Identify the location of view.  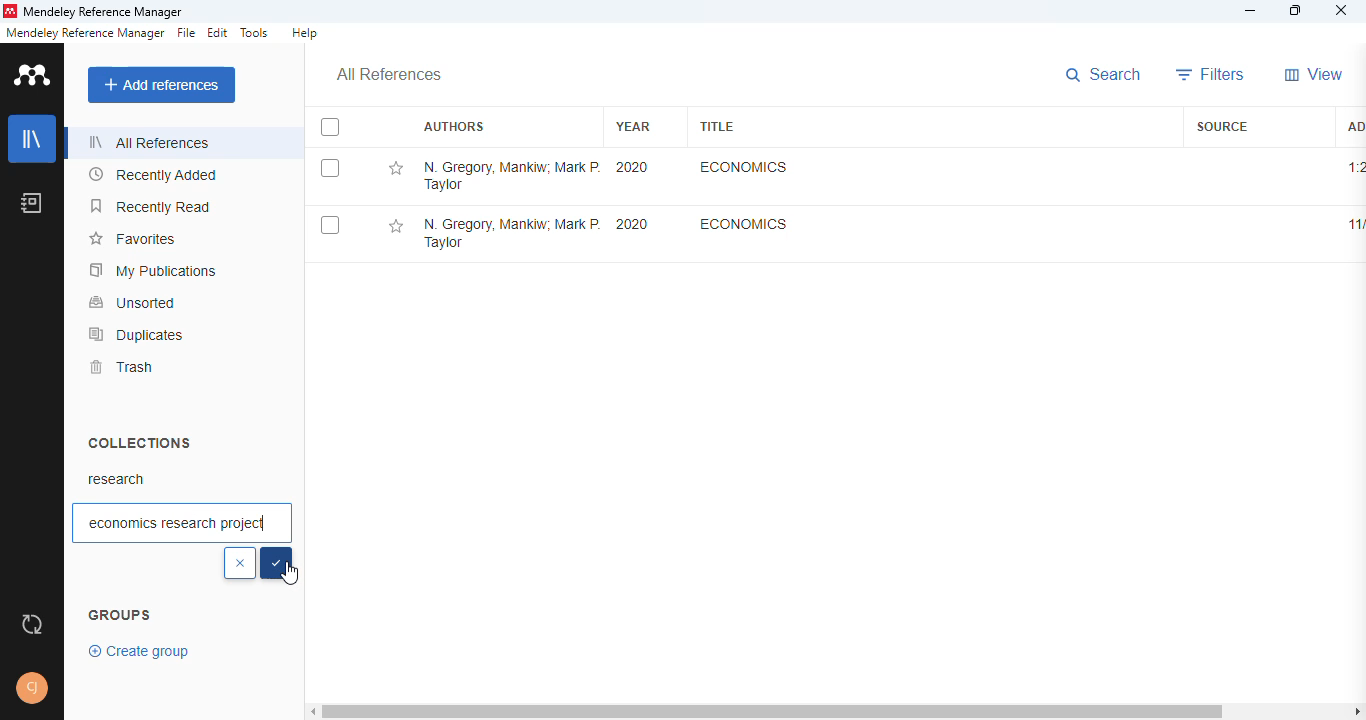
(1314, 74).